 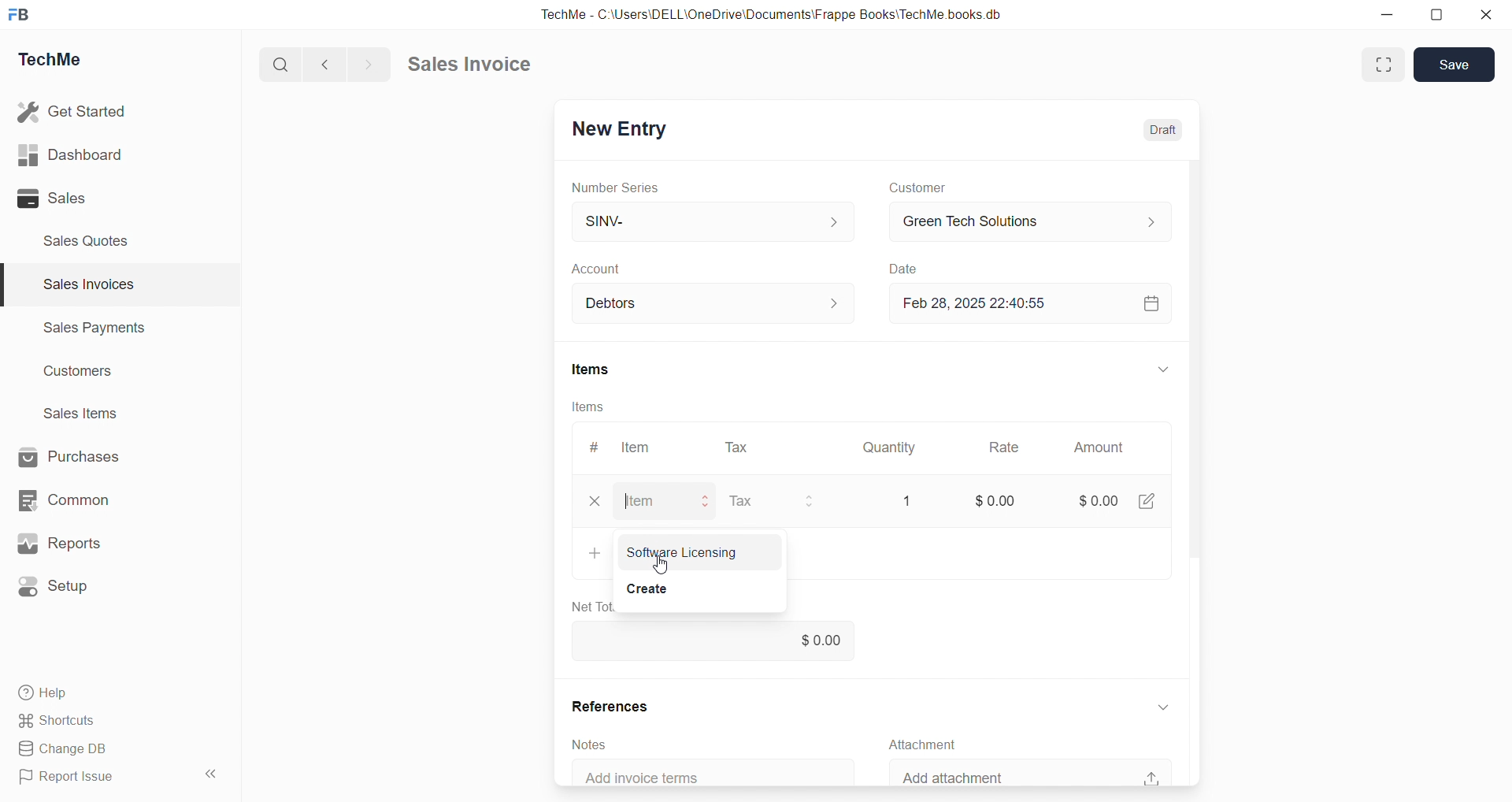 What do you see at coordinates (69, 456) in the screenshot?
I see `Purchases` at bounding box center [69, 456].